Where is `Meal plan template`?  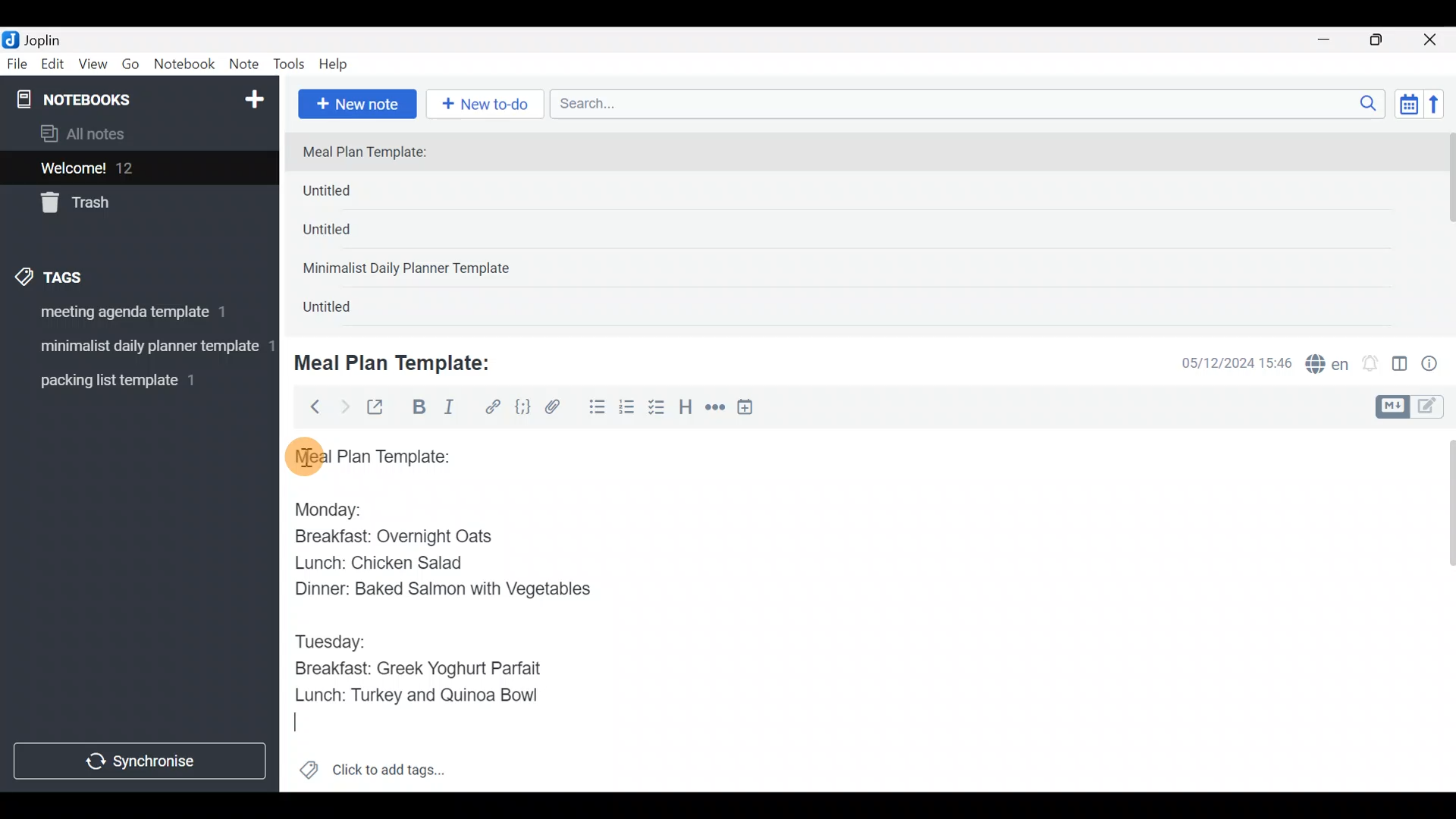 Meal plan template is located at coordinates (367, 454).